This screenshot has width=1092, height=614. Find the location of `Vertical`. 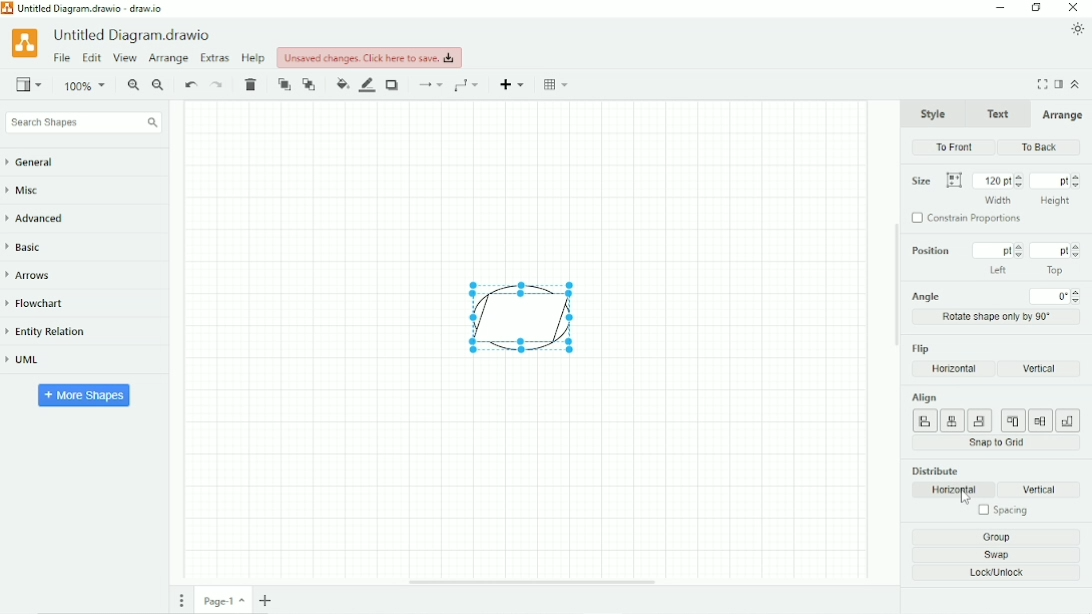

Vertical is located at coordinates (1037, 368).